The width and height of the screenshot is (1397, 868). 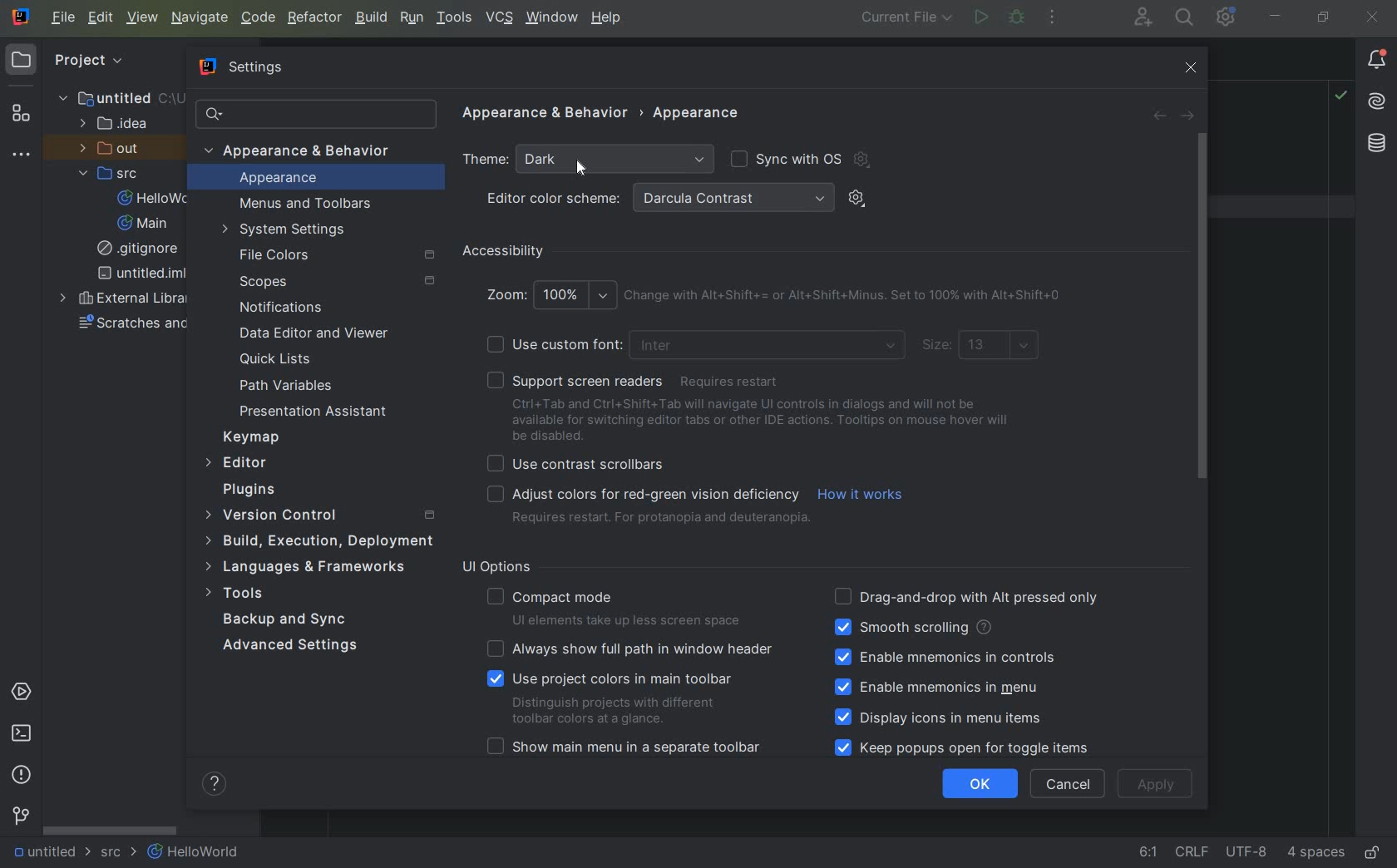 I want to click on SETTINGS, so click(x=239, y=65).